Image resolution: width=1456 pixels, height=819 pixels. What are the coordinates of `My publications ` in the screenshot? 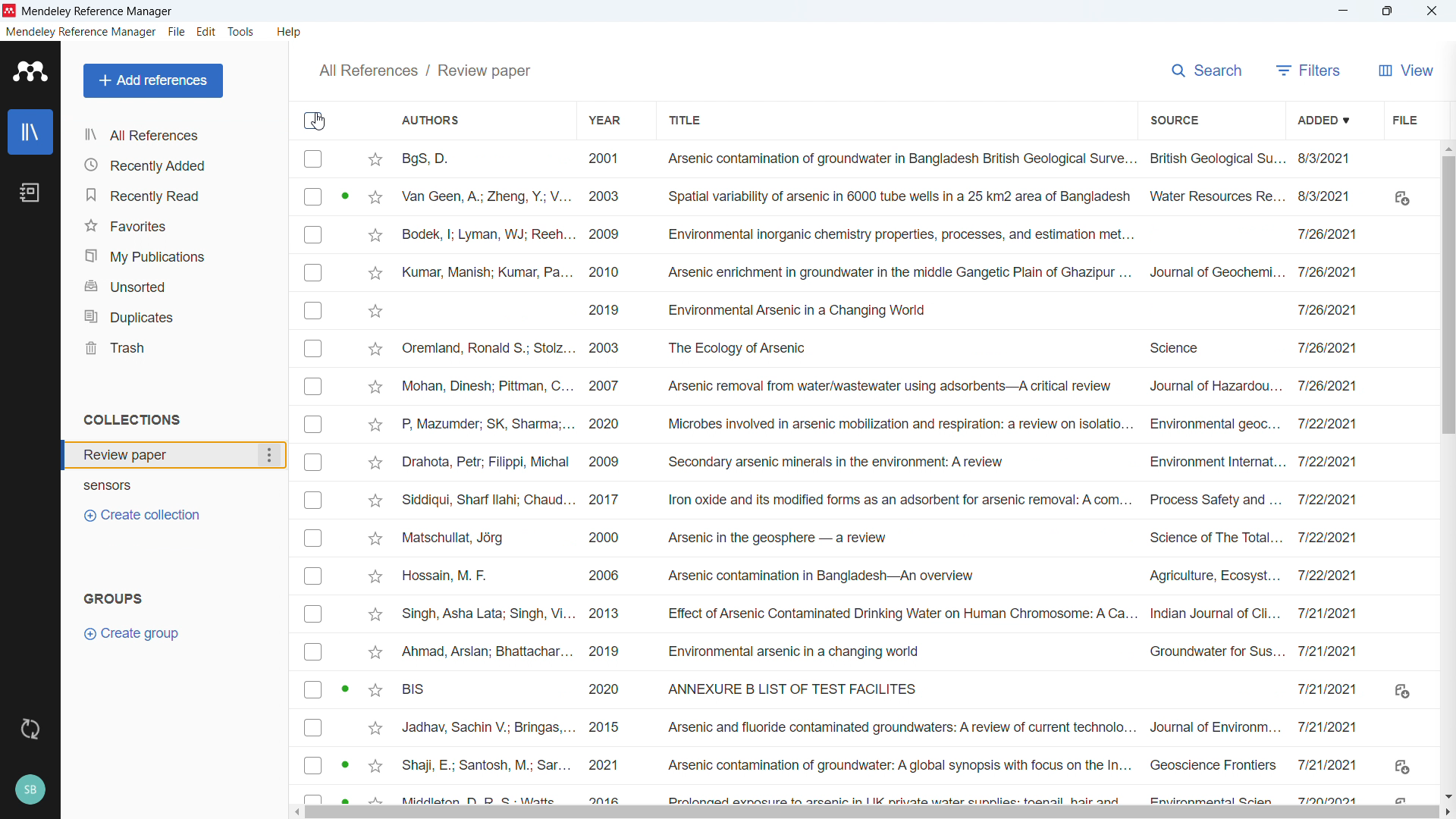 It's located at (174, 254).